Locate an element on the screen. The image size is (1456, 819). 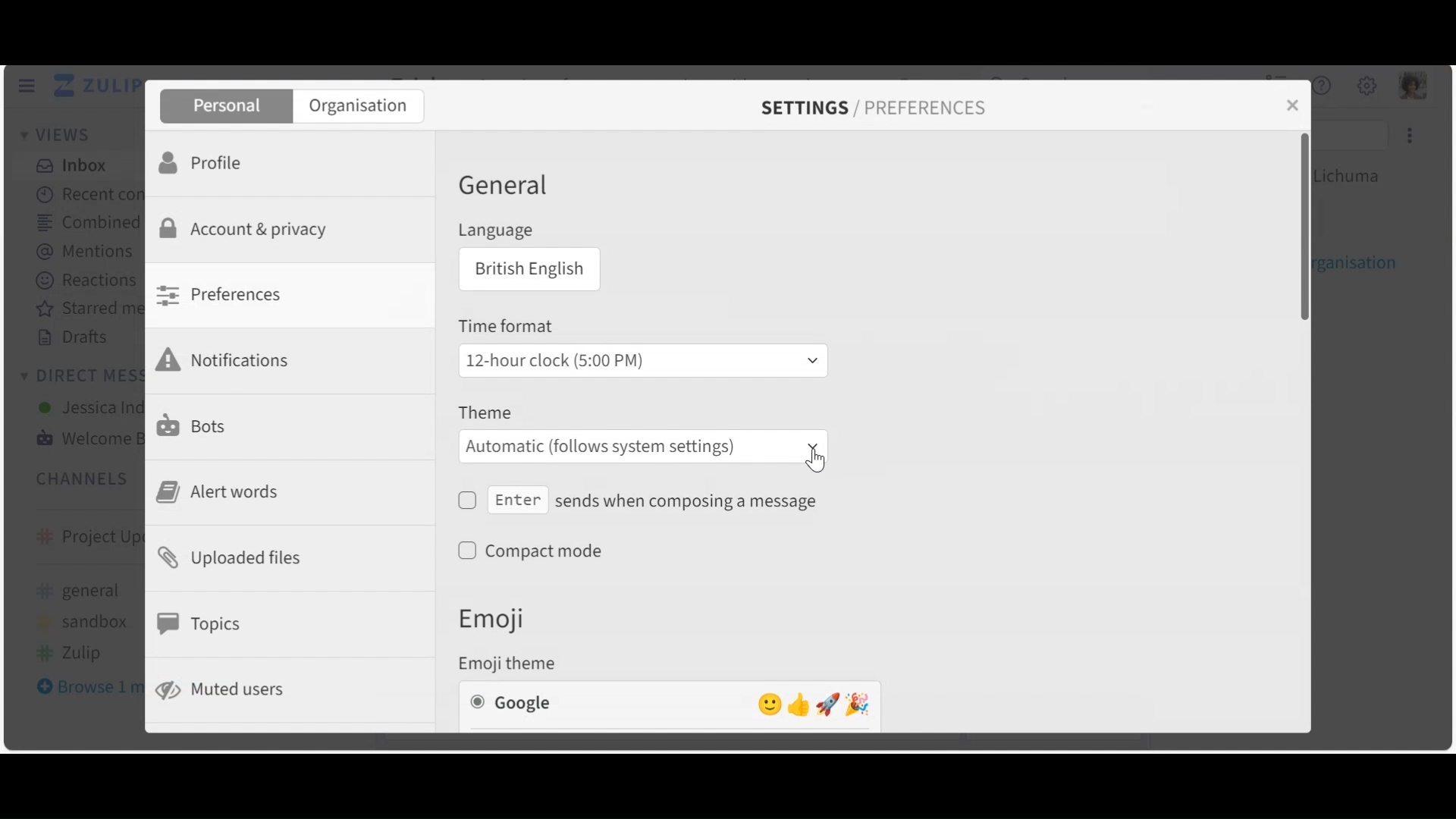
Uploaded Files is located at coordinates (234, 561).